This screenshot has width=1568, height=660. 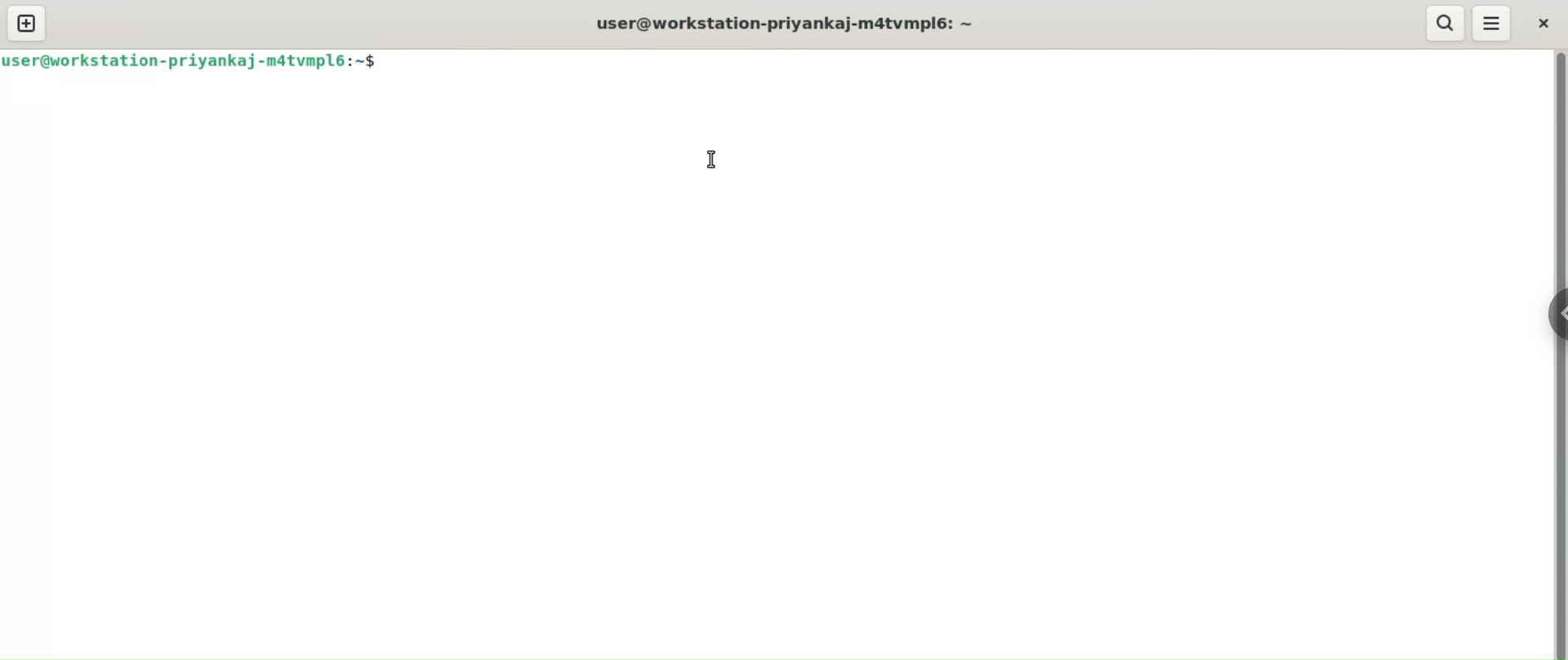 What do you see at coordinates (1546, 25) in the screenshot?
I see `close` at bounding box center [1546, 25].